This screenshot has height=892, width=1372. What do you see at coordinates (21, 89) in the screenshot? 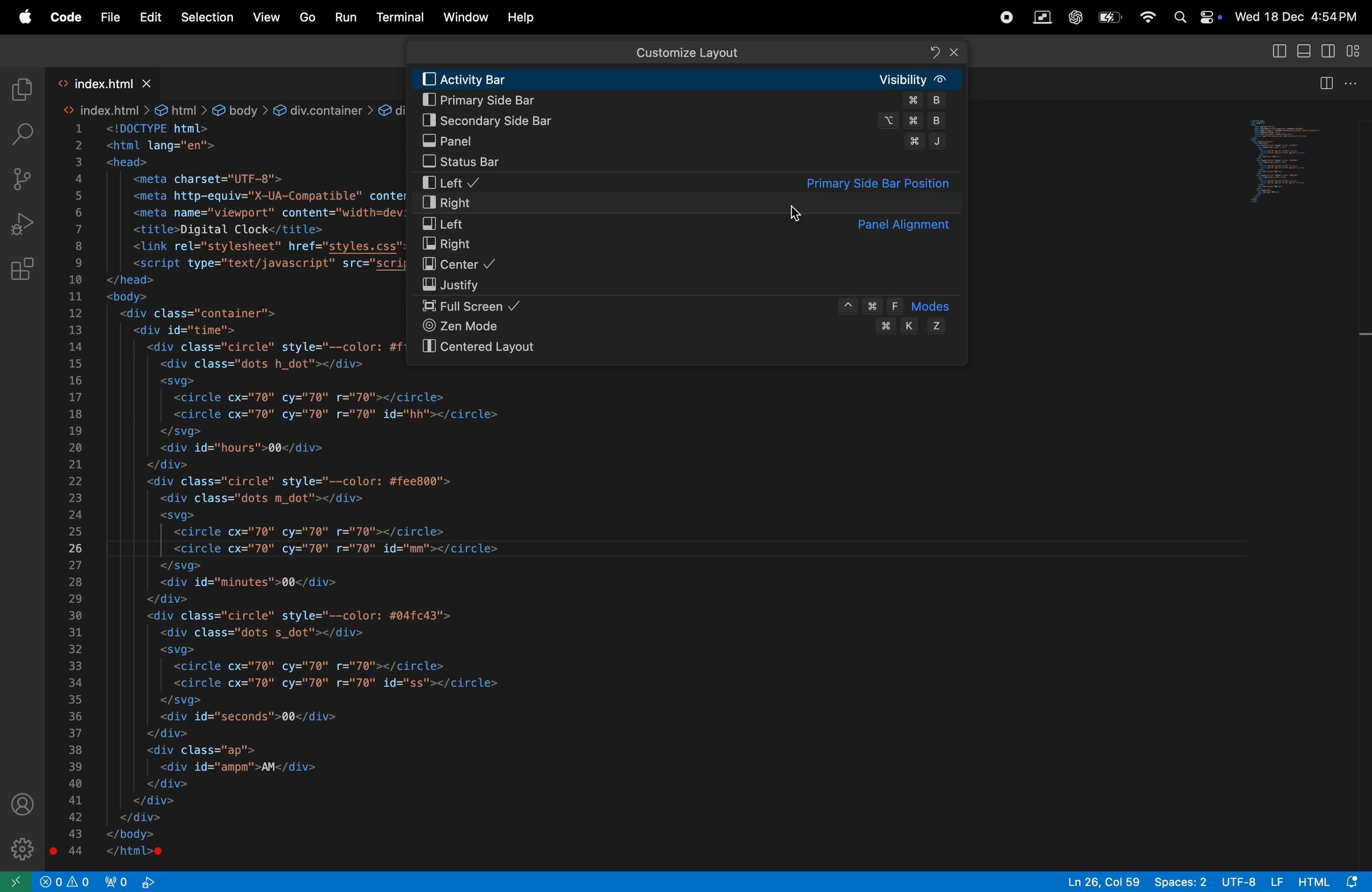
I see `explore` at bounding box center [21, 89].